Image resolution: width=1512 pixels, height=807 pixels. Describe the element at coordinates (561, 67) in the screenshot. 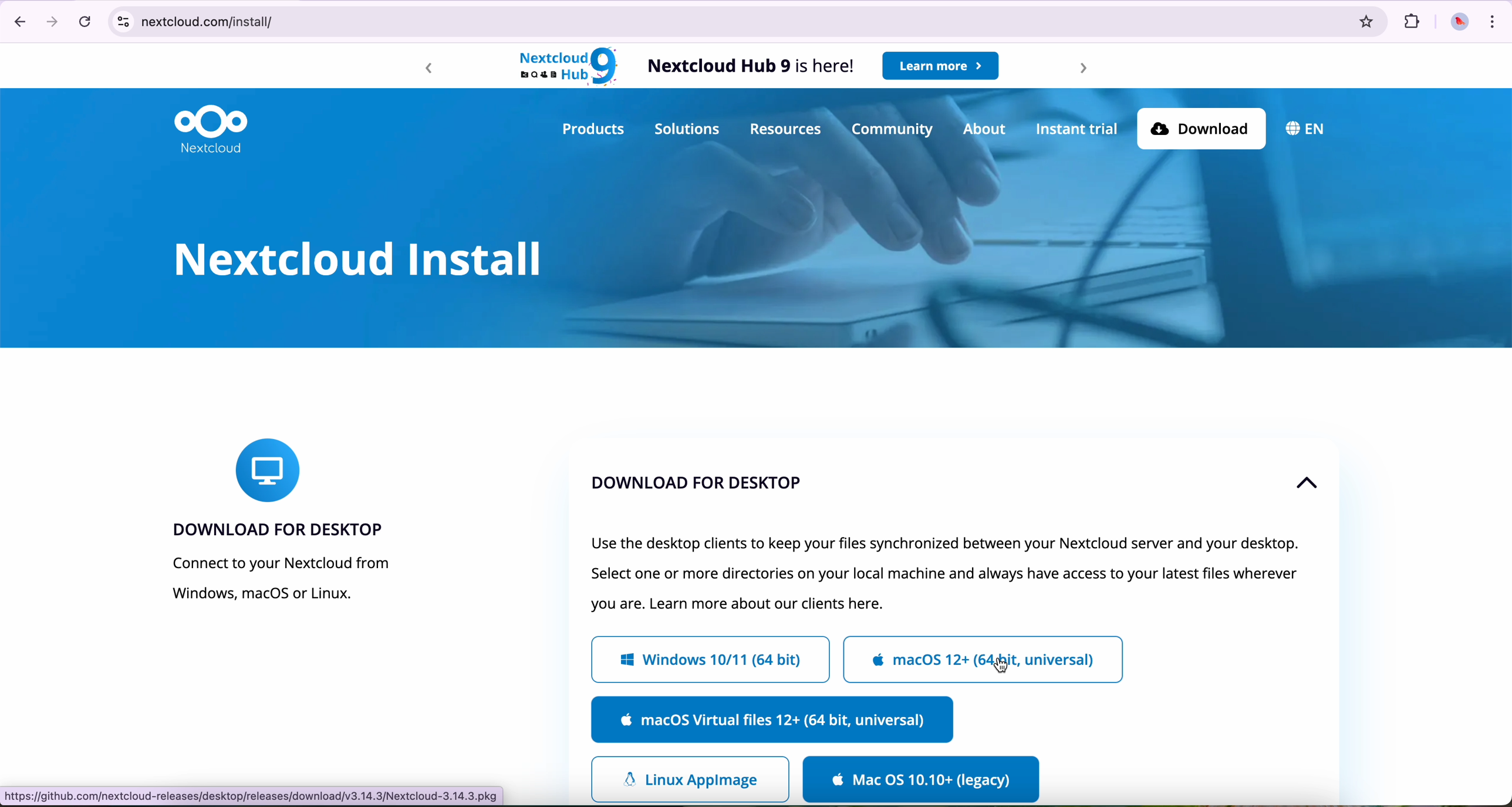

I see `Nextcloud hub 9 logo` at that location.